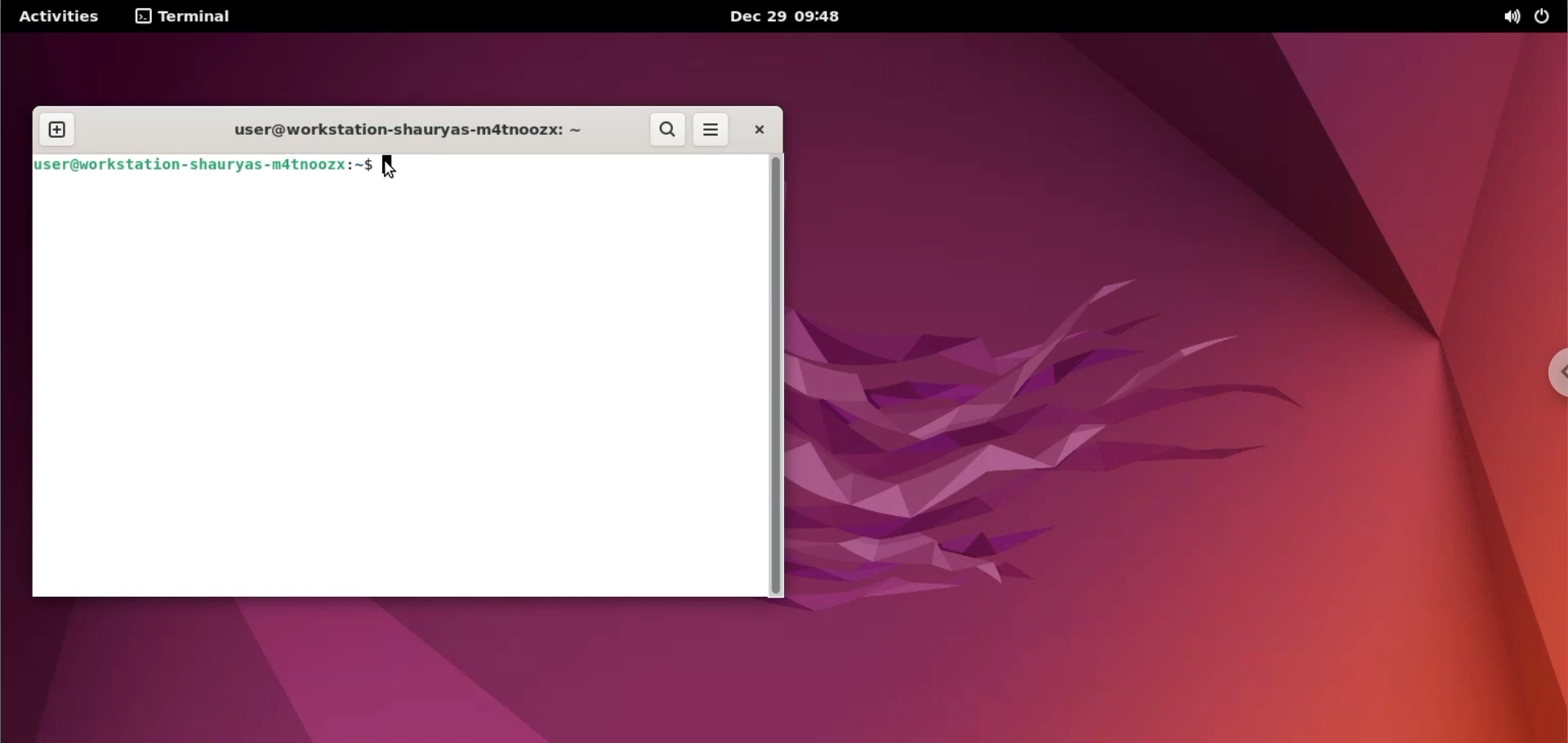  Describe the element at coordinates (1508, 17) in the screenshot. I see `sound option` at that location.